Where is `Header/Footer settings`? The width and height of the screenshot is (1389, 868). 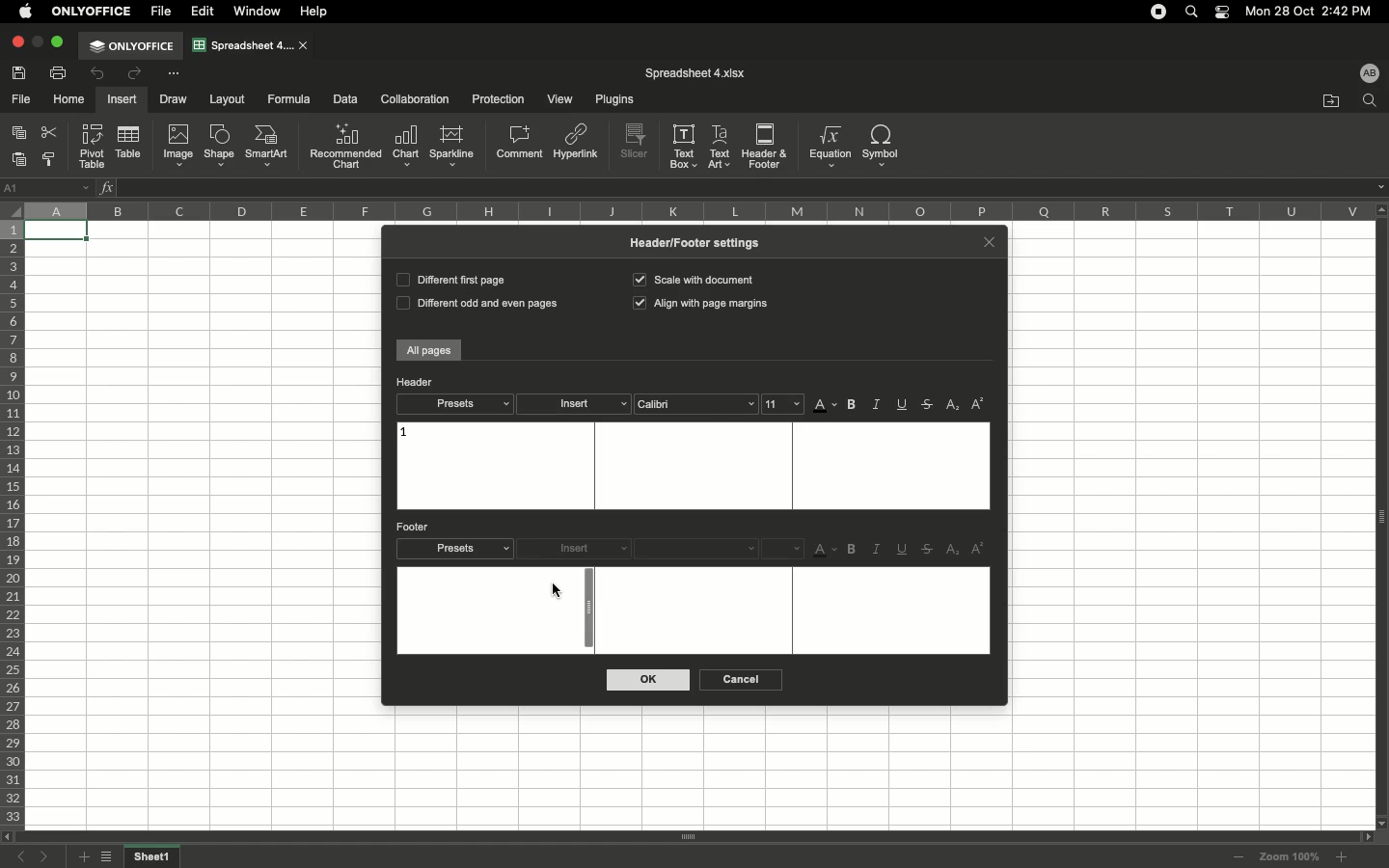
Header/Footer settings is located at coordinates (701, 242).